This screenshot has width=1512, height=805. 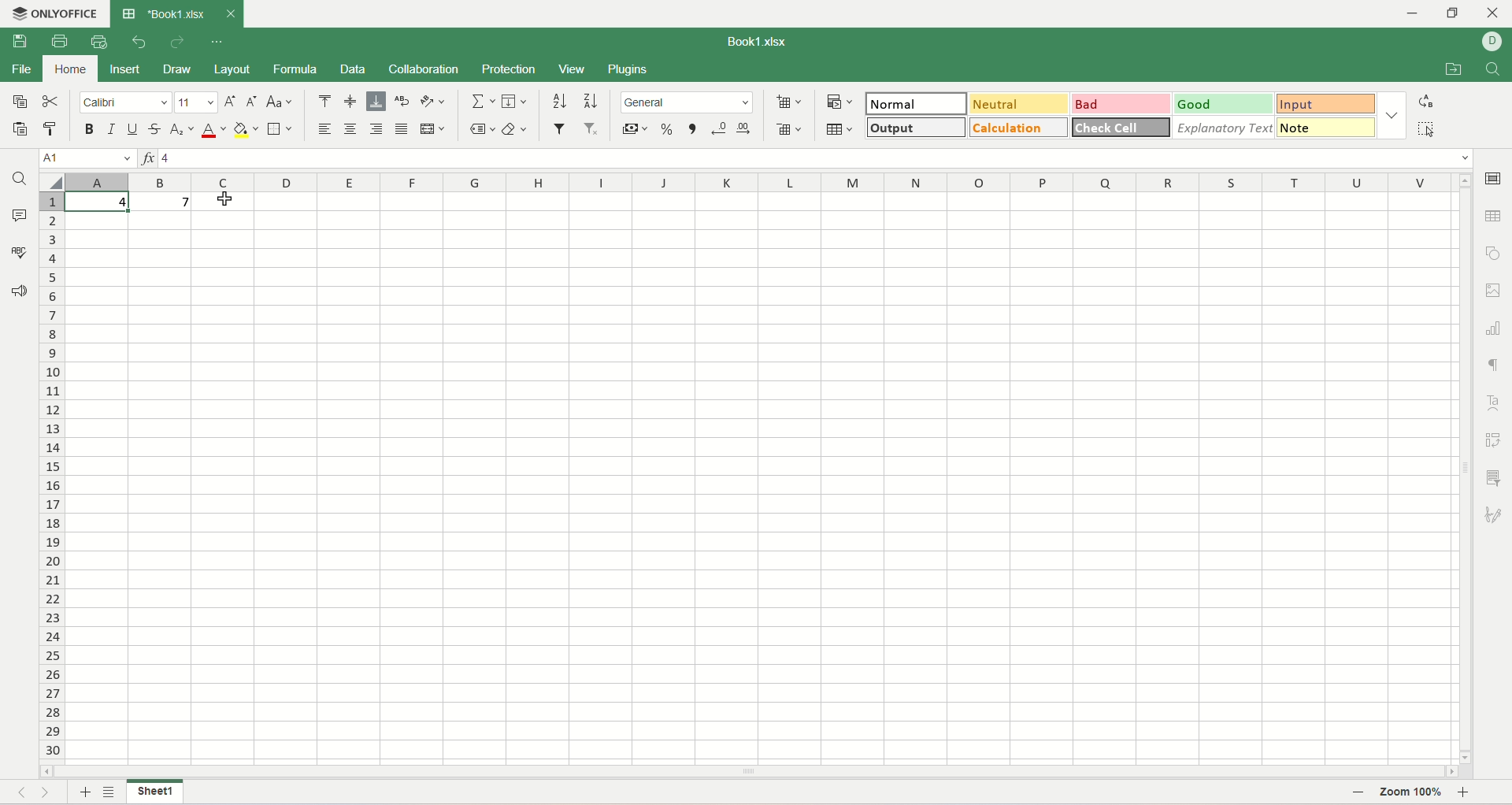 What do you see at coordinates (1497, 440) in the screenshot?
I see `pivot settings` at bounding box center [1497, 440].